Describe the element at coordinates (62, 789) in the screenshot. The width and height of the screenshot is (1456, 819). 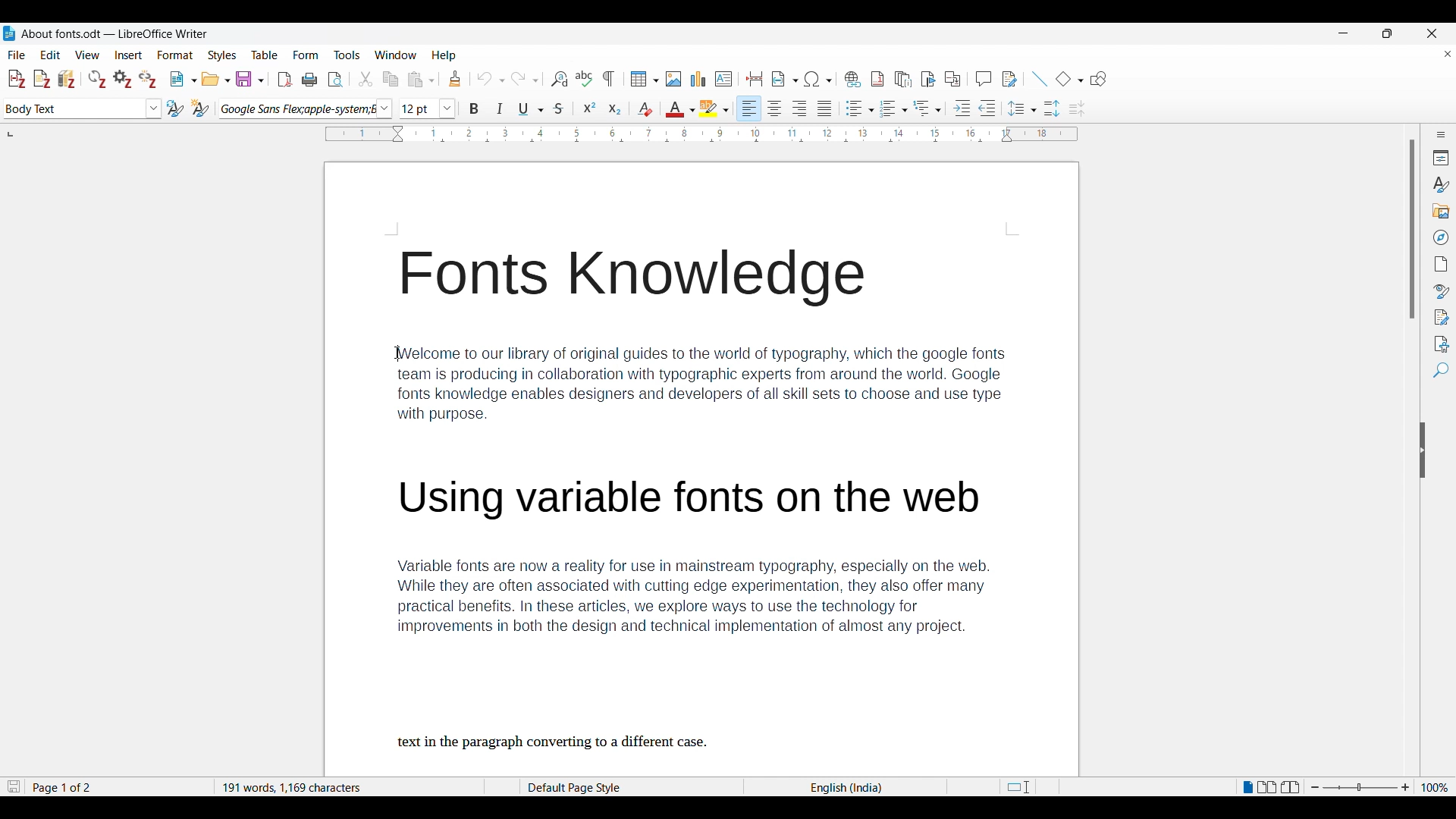
I see `Page 1 of 2` at that location.